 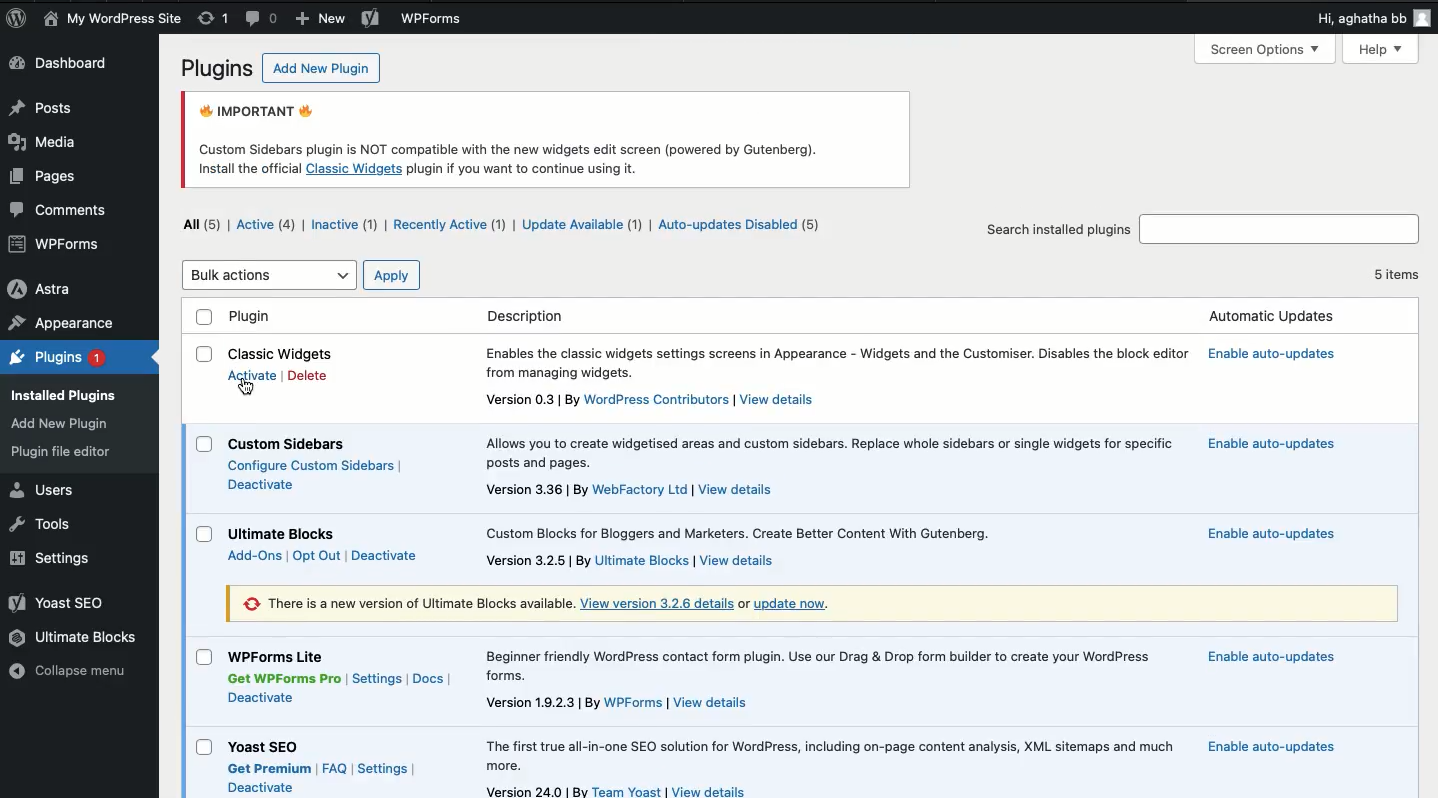 I want to click on Hi user, so click(x=1372, y=20).